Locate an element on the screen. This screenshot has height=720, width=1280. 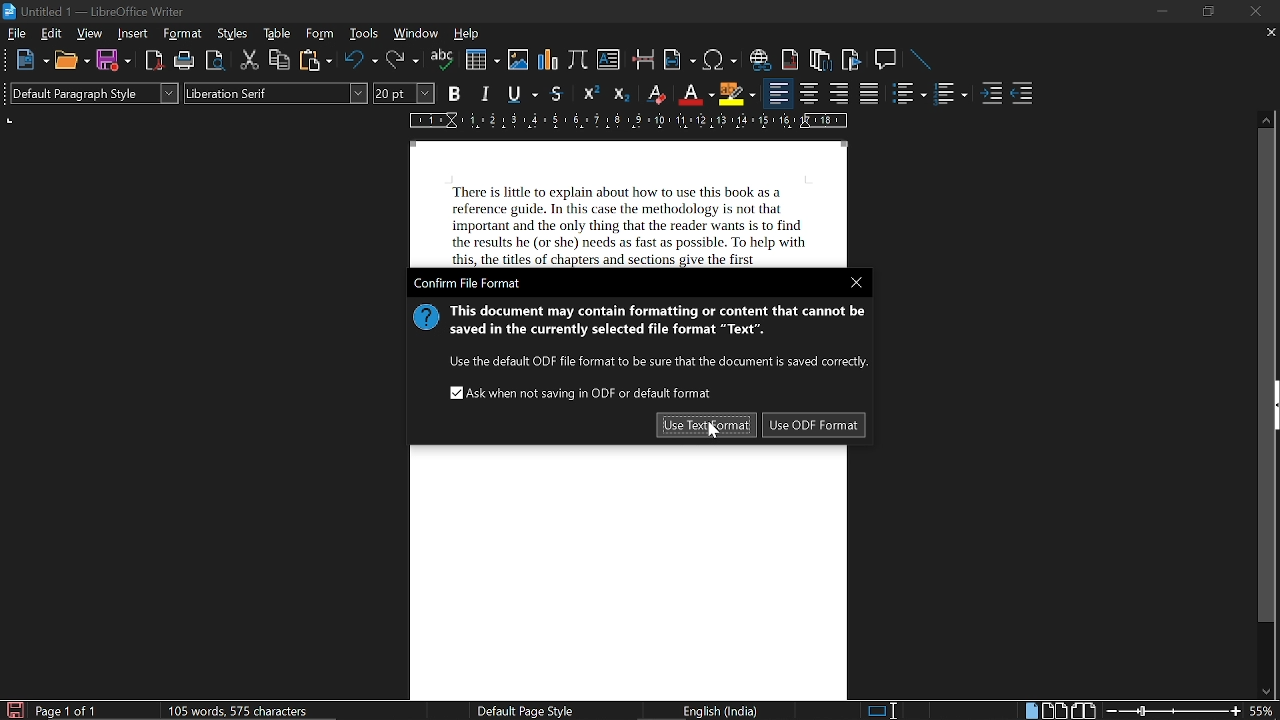
insert field is located at coordinates (679, 60).